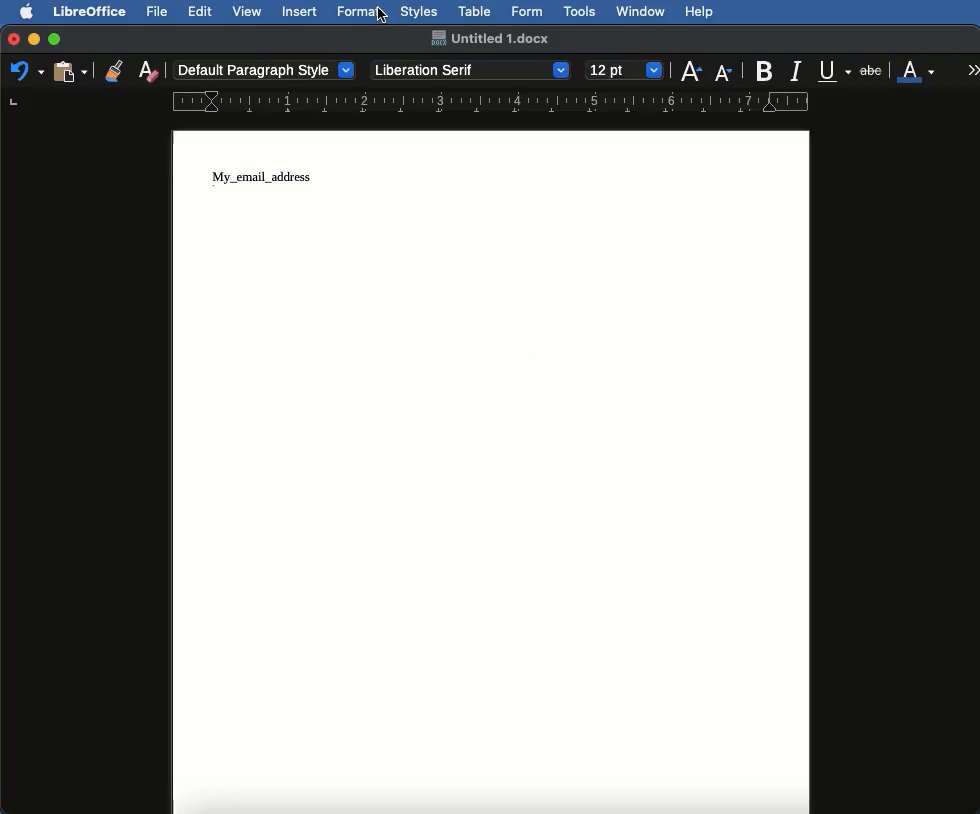  I want to click on Maximize, so click(56, 39).